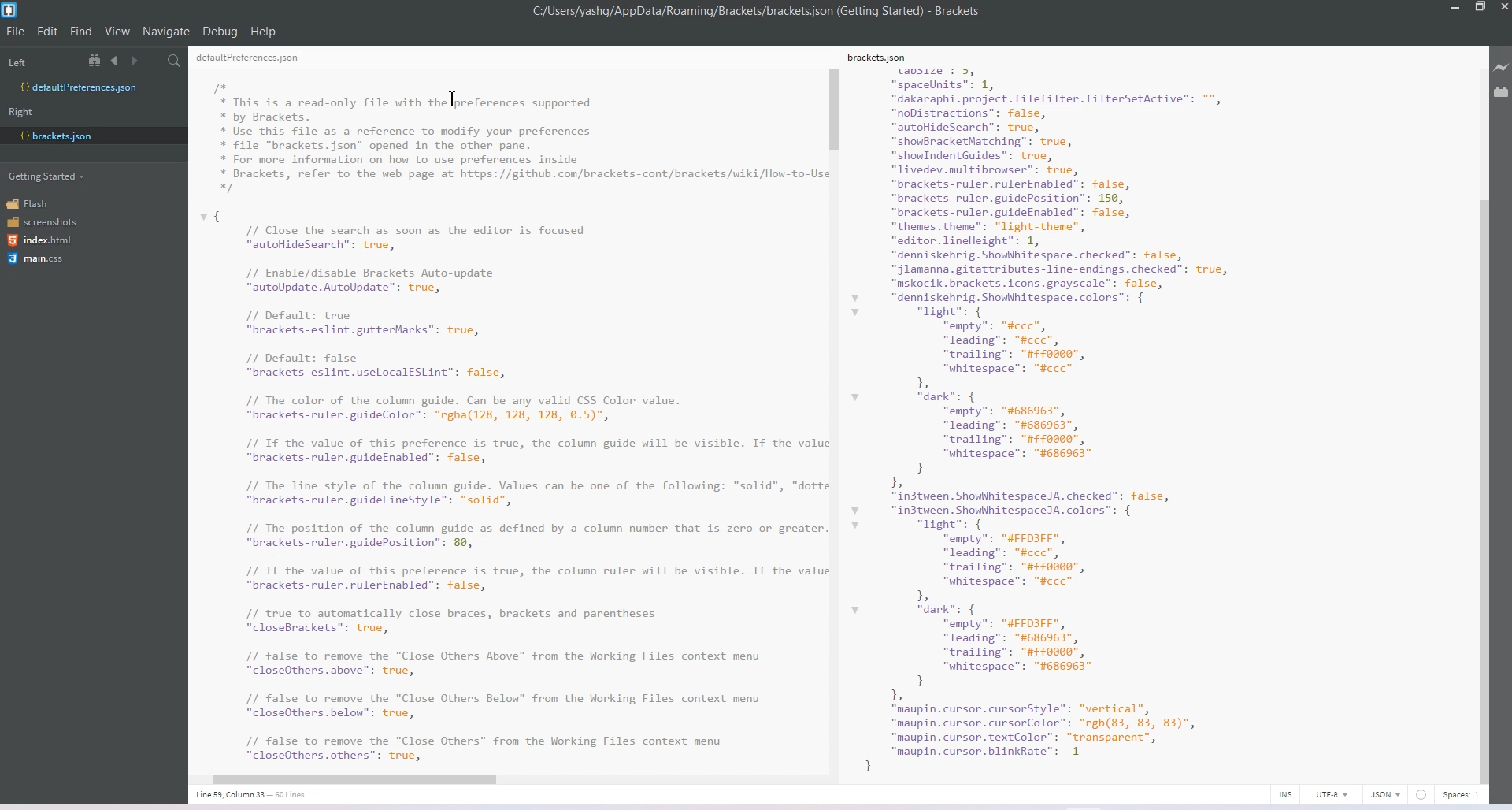 This screenshot has width=1512, height=810. I want to click on kets. son
size : 3,
“spacelnits": 1,
“dakaraphi.project. filefilter. filterSetActive”: "*,
“noDistractions”: false,
“autohideSearch”: true,
“showBracketMatching”: true,
“showIndentGuides”: true,
“livedev.multibrowser”: true,
“brackets-ruler.rulerEnabled": false,
“brackets-ruler.guidePosition”: 150,
“brackets-ruler.guideEnabled": false,
“themes theme": "light-theme",
“editor. lineHeight": 1,
“denniskehrig. Showhhitespace. checked": false,
“jlamanna.gitattributes-line-endings. checked": true,
“mskocik.brackets.icons.grayscale": false,
“denniskehrig. Showhitespace. colors”: {
“light”: {
“empty”: "#ccc”,
“leading”: "#ccc”,
“trailing”: "#0000",
“whitespace”: "#ccc”
b
“dark”: {
“empty”: "#686963",
["leading”: "#686963",
“trailing”: "#0000",
“whitespace”: "#686963"
}
Ia
“in3tween. ShowhhitespaceJA. checked": false,
“in3tween. ShowhhitespaceJA. colors”: {
“light”: {
“empty”: "#FFDIFF",
“leading”: "#ccc”,
“trailing”: "#0000",
“whitespace”: "#ccc”
bh
“dark”: {
“empty”: "#FFDIFF",
“leading”: "#686963",
“trailing”: "#0000",
“whitespace”: "#686963"
}
b
“maupin. cursor. cursorStyle”: “vertical”,
“maupin. cursor. cursorColor™: "rgh(83, 83, 83)",
“maupin.cursor.textColor”: “transparent”,
“maupin. cursor. blinkRate": 1000 |
:, so click(1076, 411).